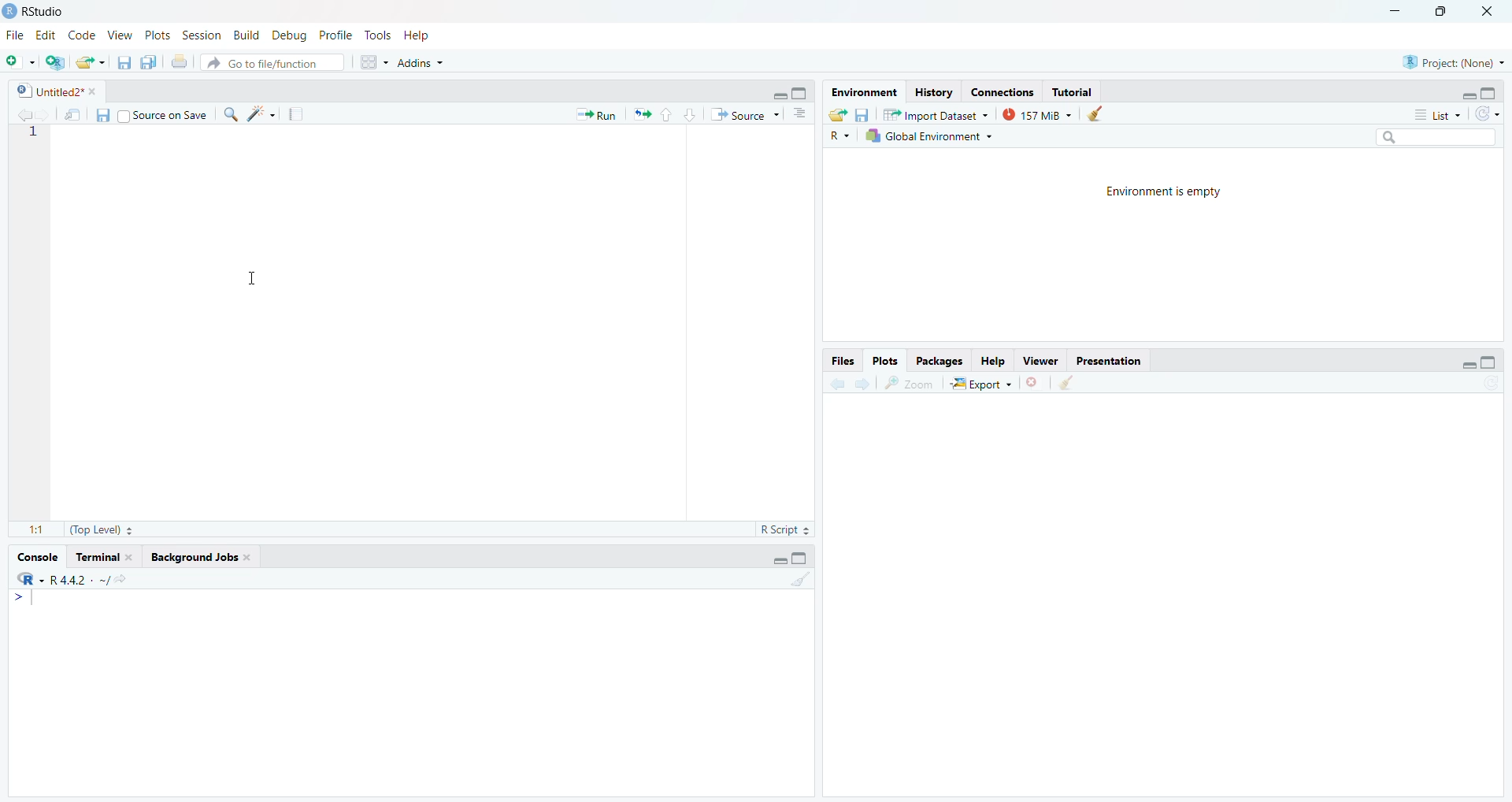 The image size is (1512, 802). What do you see at coordinates (1167, 191) in the screenshot?
I see `Environment is empty` at bounding box center [1167, 191].